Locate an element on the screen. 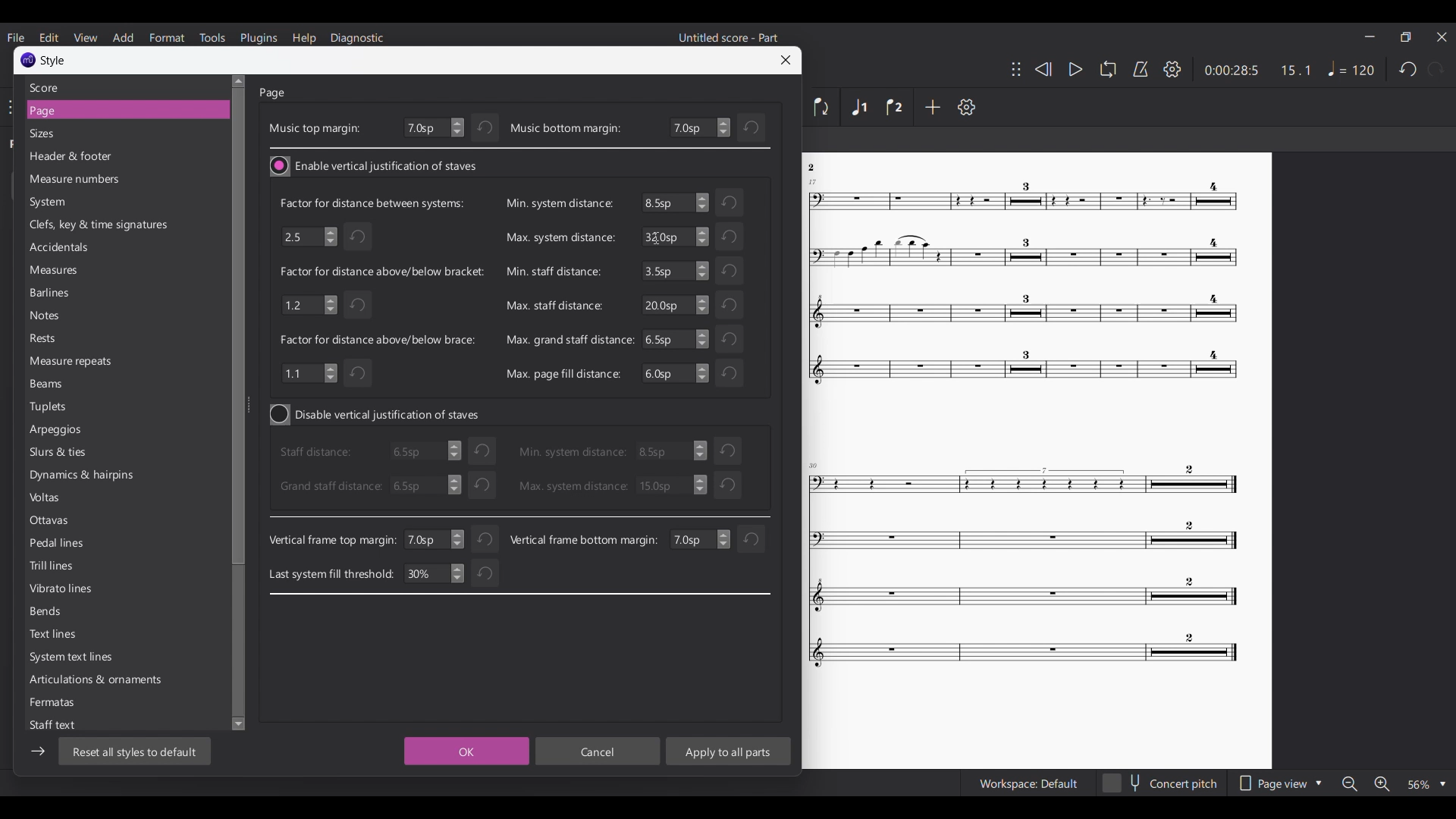 This screenshot has height=819, width=1456. Metronome is located at coordinates (1141, 69).